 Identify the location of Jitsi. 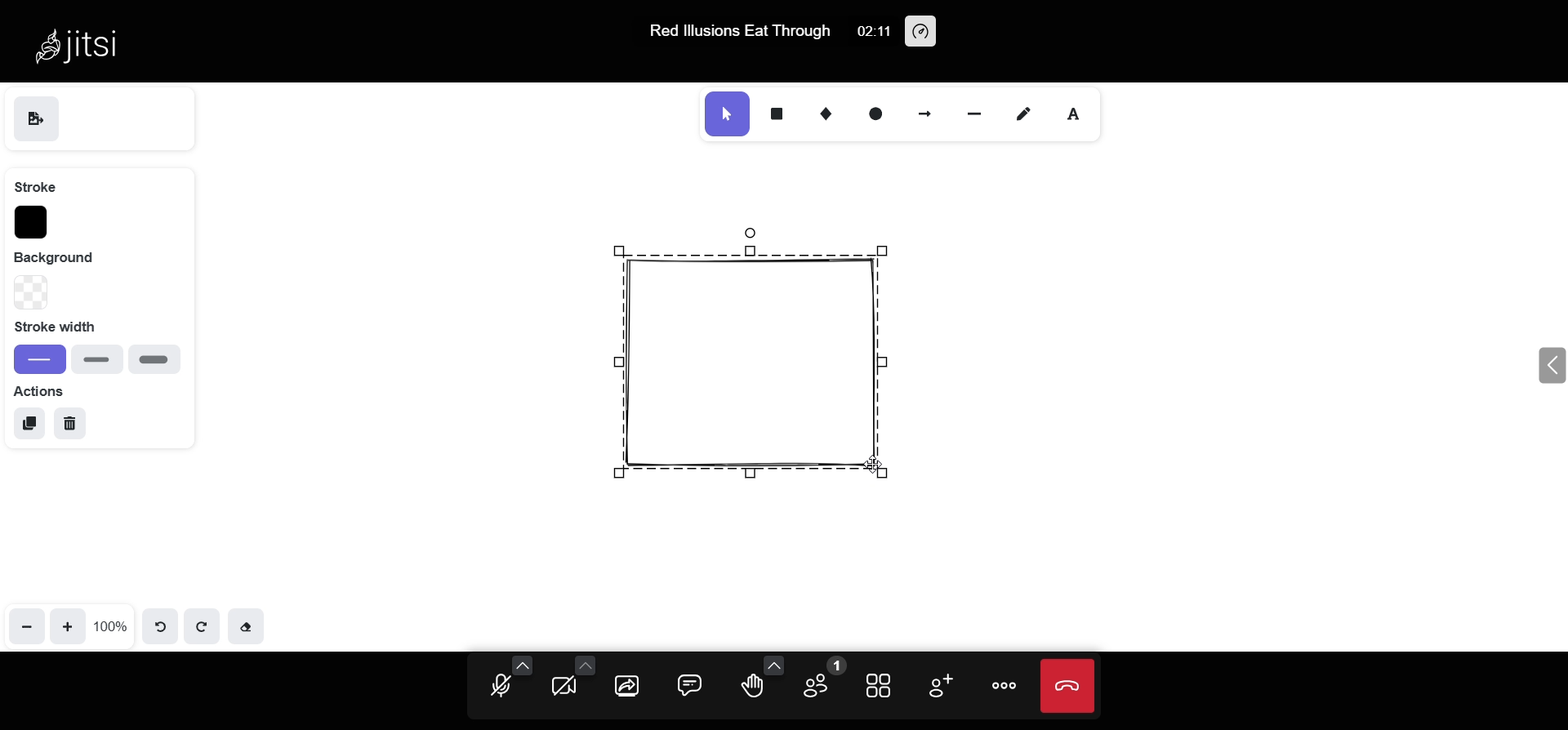
(83, 44).